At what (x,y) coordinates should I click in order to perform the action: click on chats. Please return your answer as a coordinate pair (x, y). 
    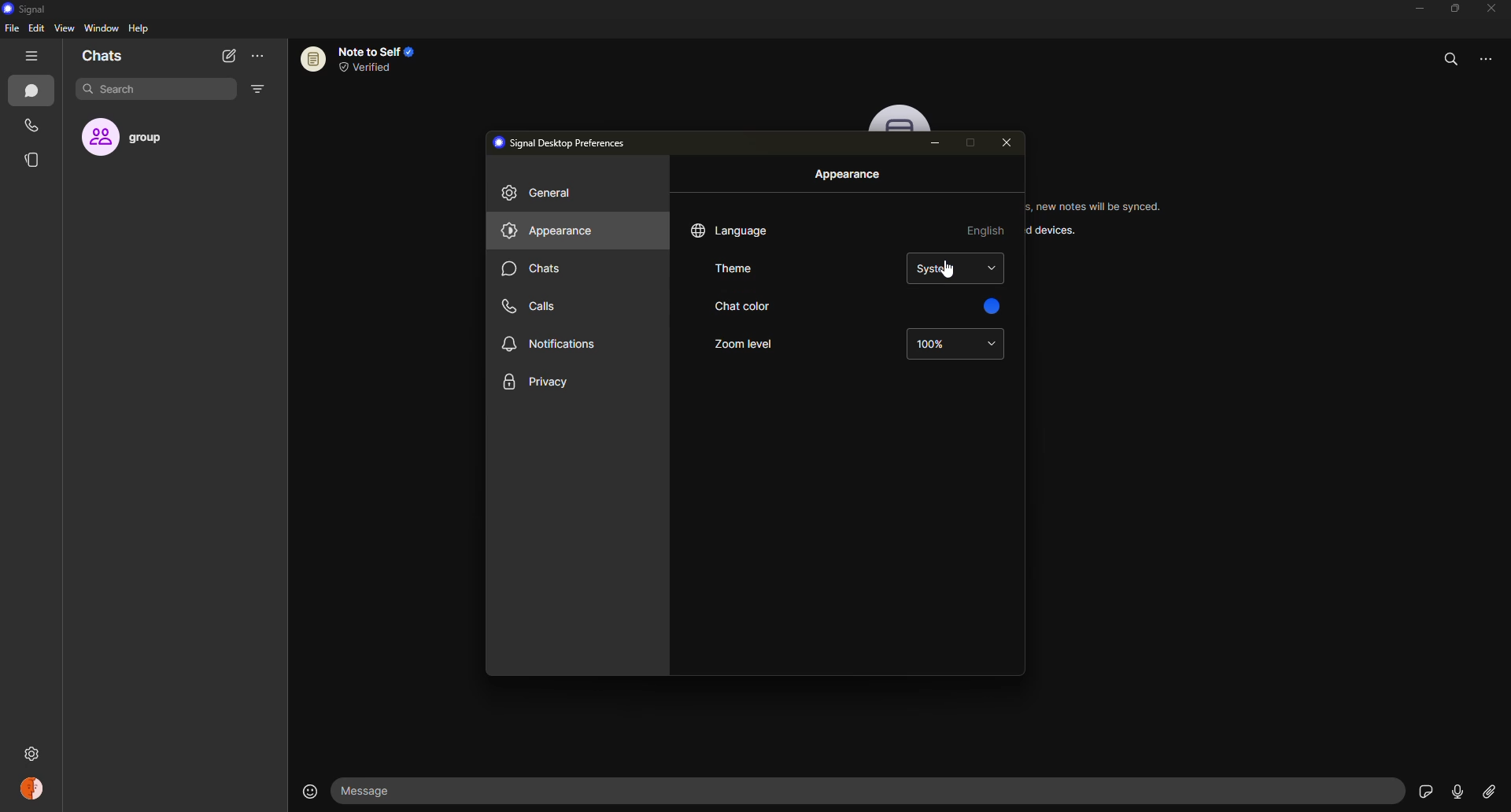
    Looking at the image, I should click on (35, 92).